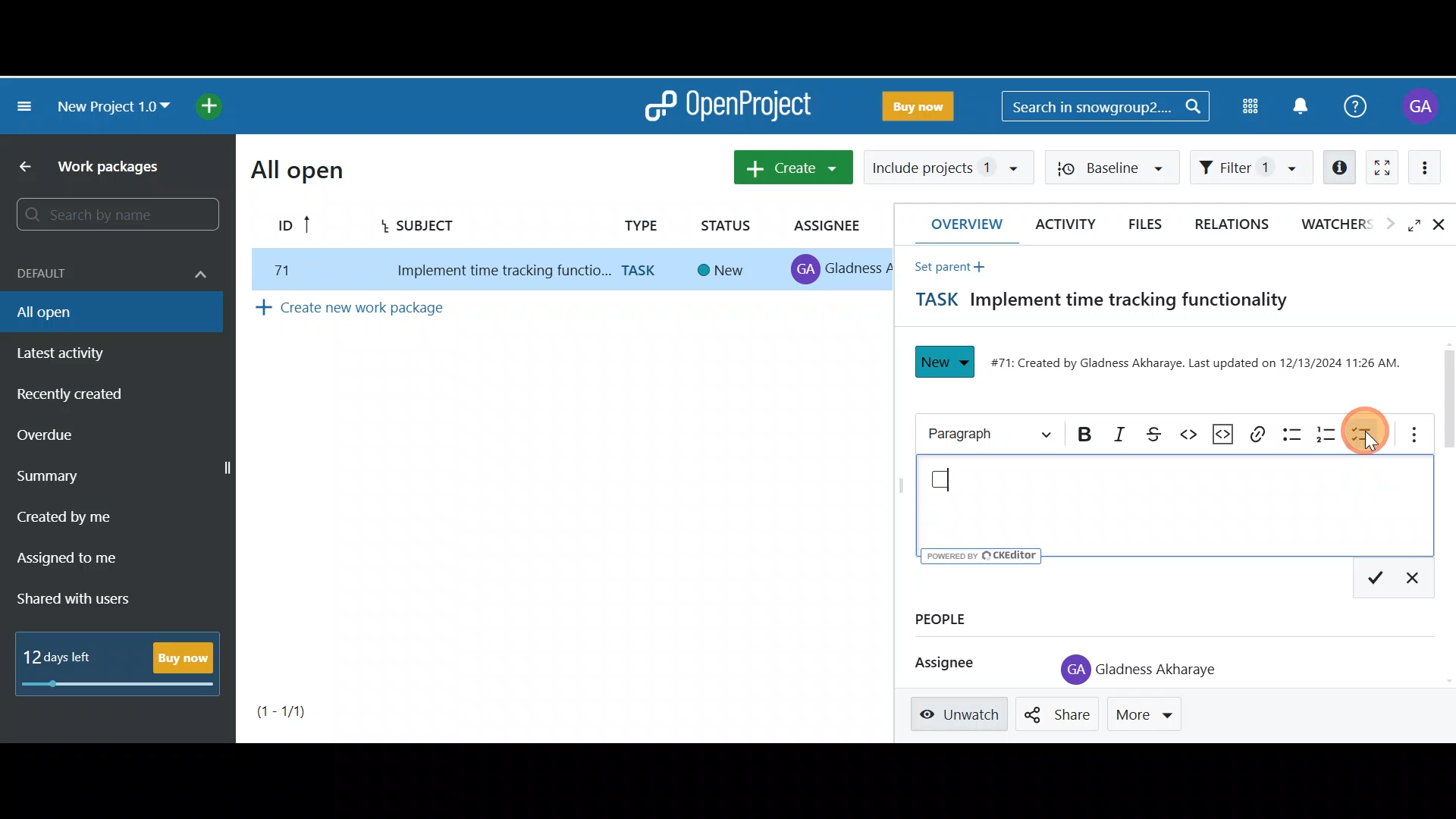 This screenshot has height=819, width=1456. I want to click on profile icon, so click(1066, 670).